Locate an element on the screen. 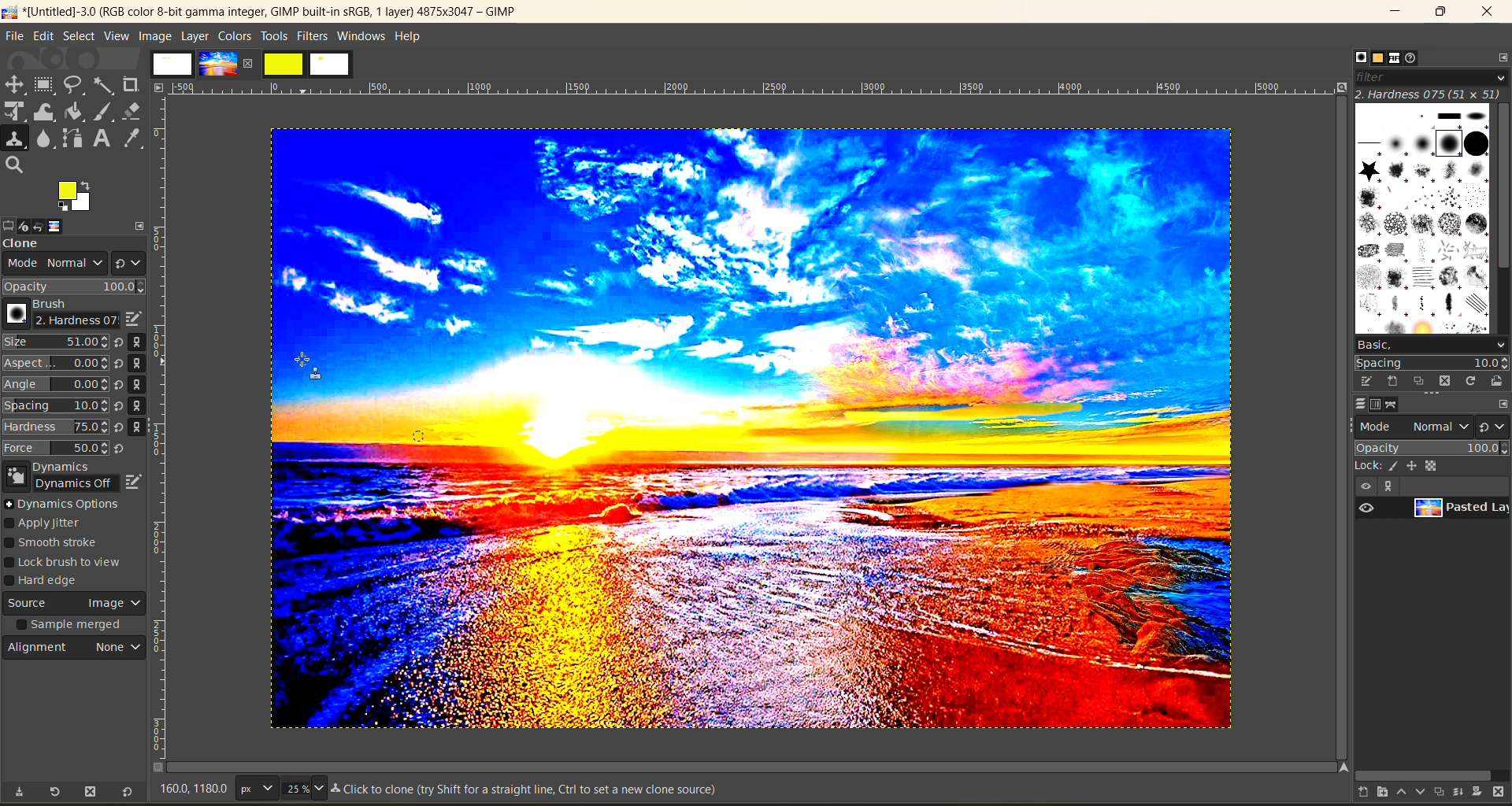  create a new brush is located at coordinates (1392, 382).